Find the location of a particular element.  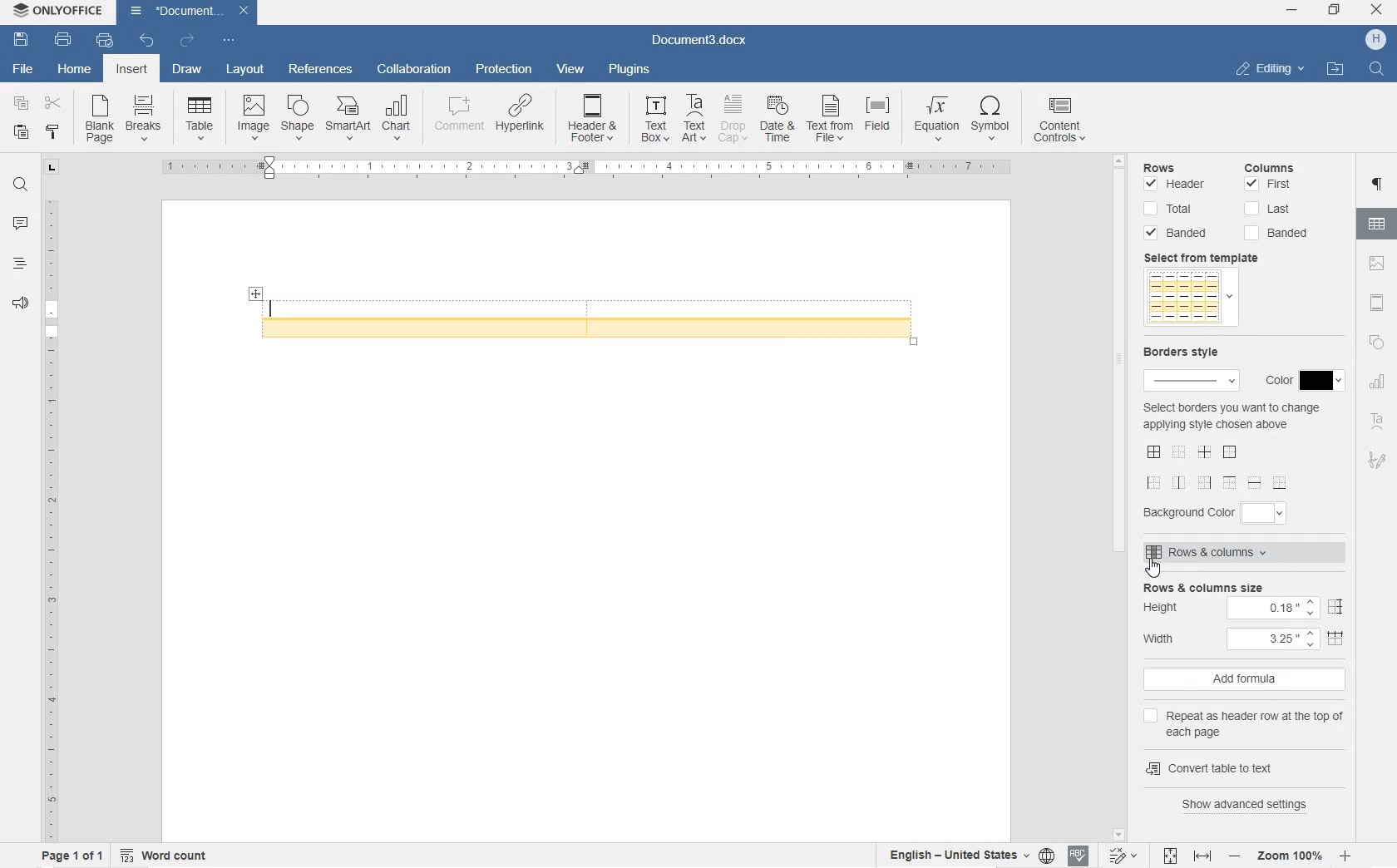

PAGE 1 OF 1 is located at coordinates (68, 856).